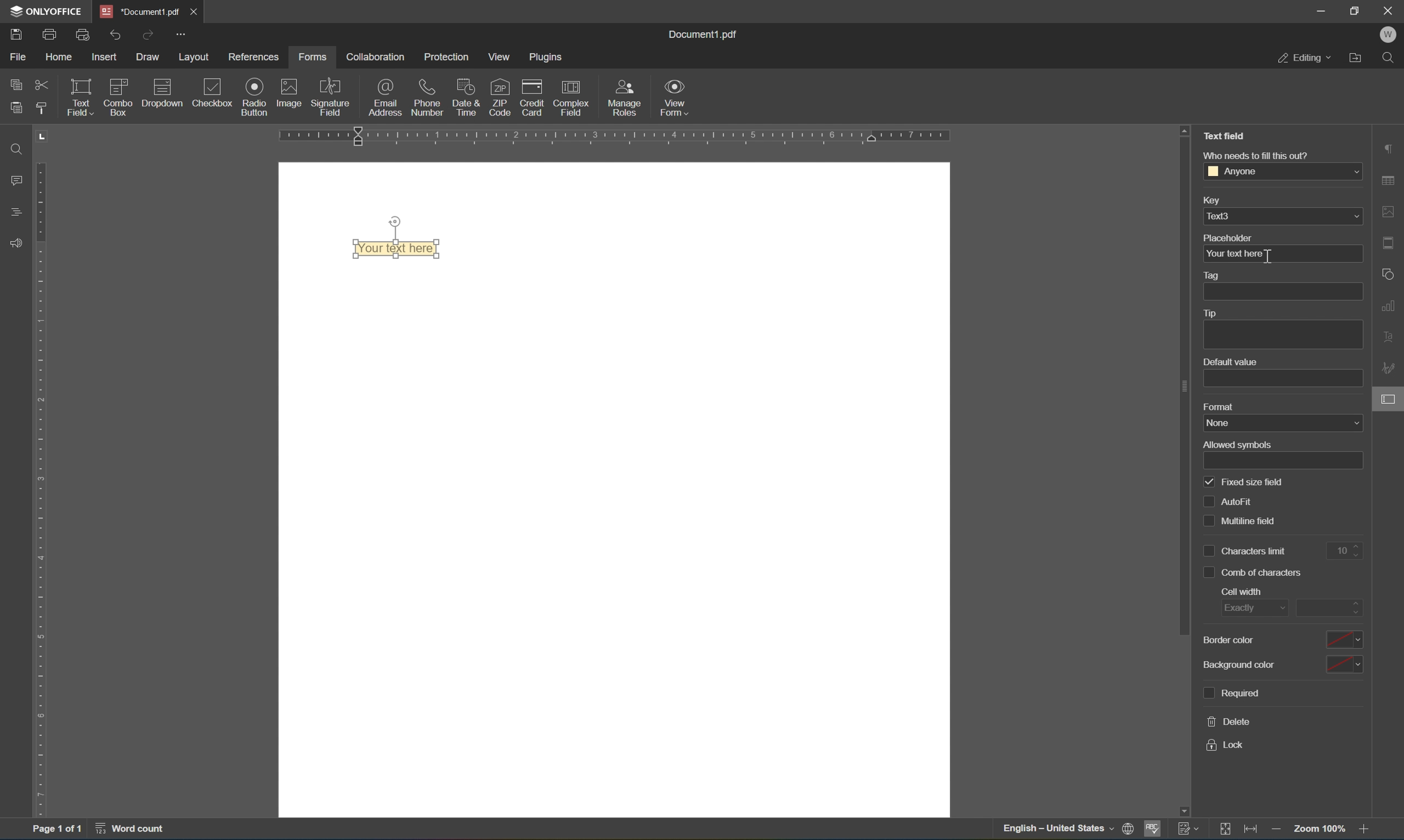  What do you see at coordinates (386, 97) in the screenshot?
I see `email address` at bounding box center [386, 97].